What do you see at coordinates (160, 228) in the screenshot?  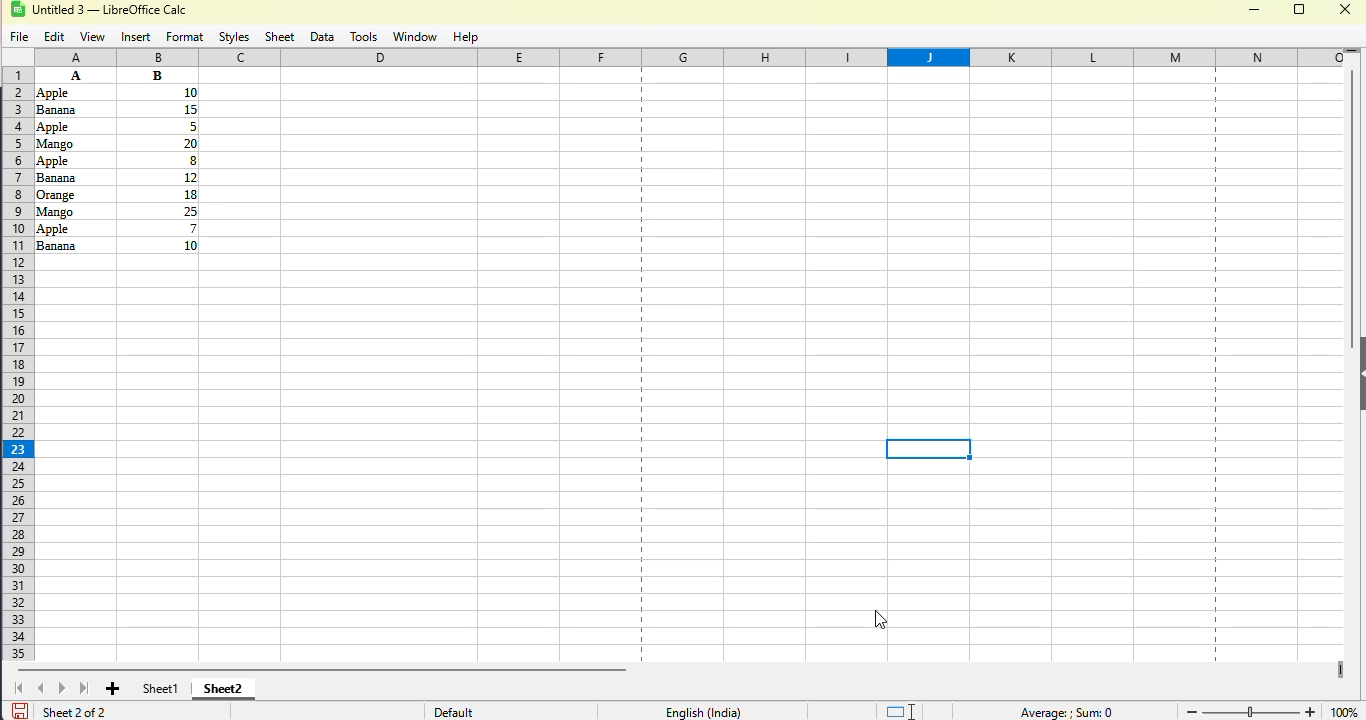 I see `` at bounding box center [160, 228].